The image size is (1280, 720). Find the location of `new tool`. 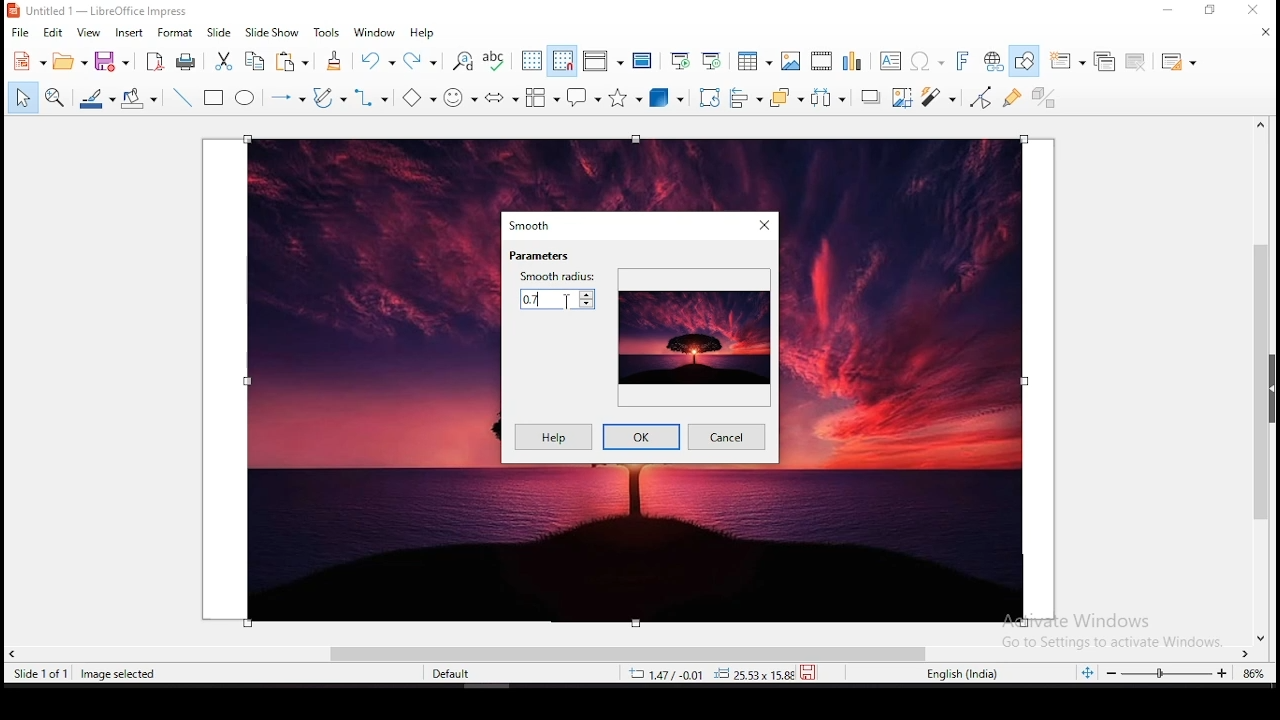

new tool is located at coordinates (28, 64).